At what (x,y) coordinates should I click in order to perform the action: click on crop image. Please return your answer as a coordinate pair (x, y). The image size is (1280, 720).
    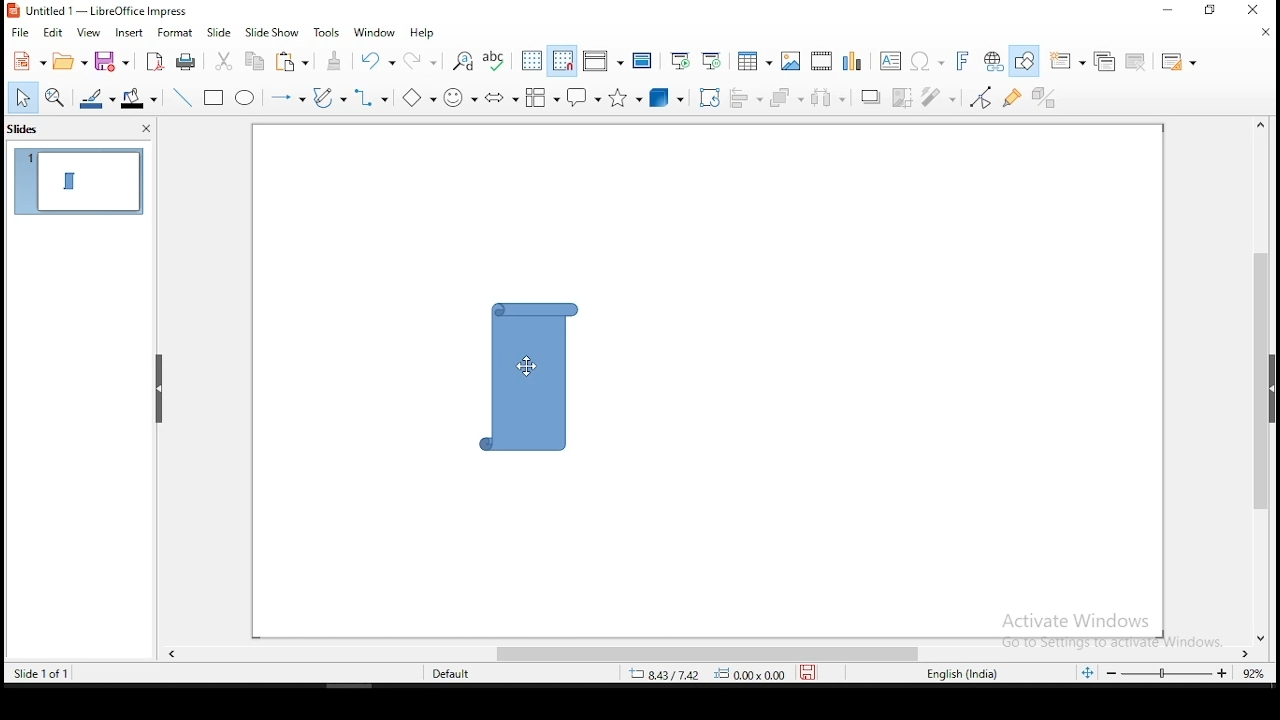
    Looking at the image, I should click on (902, 96).